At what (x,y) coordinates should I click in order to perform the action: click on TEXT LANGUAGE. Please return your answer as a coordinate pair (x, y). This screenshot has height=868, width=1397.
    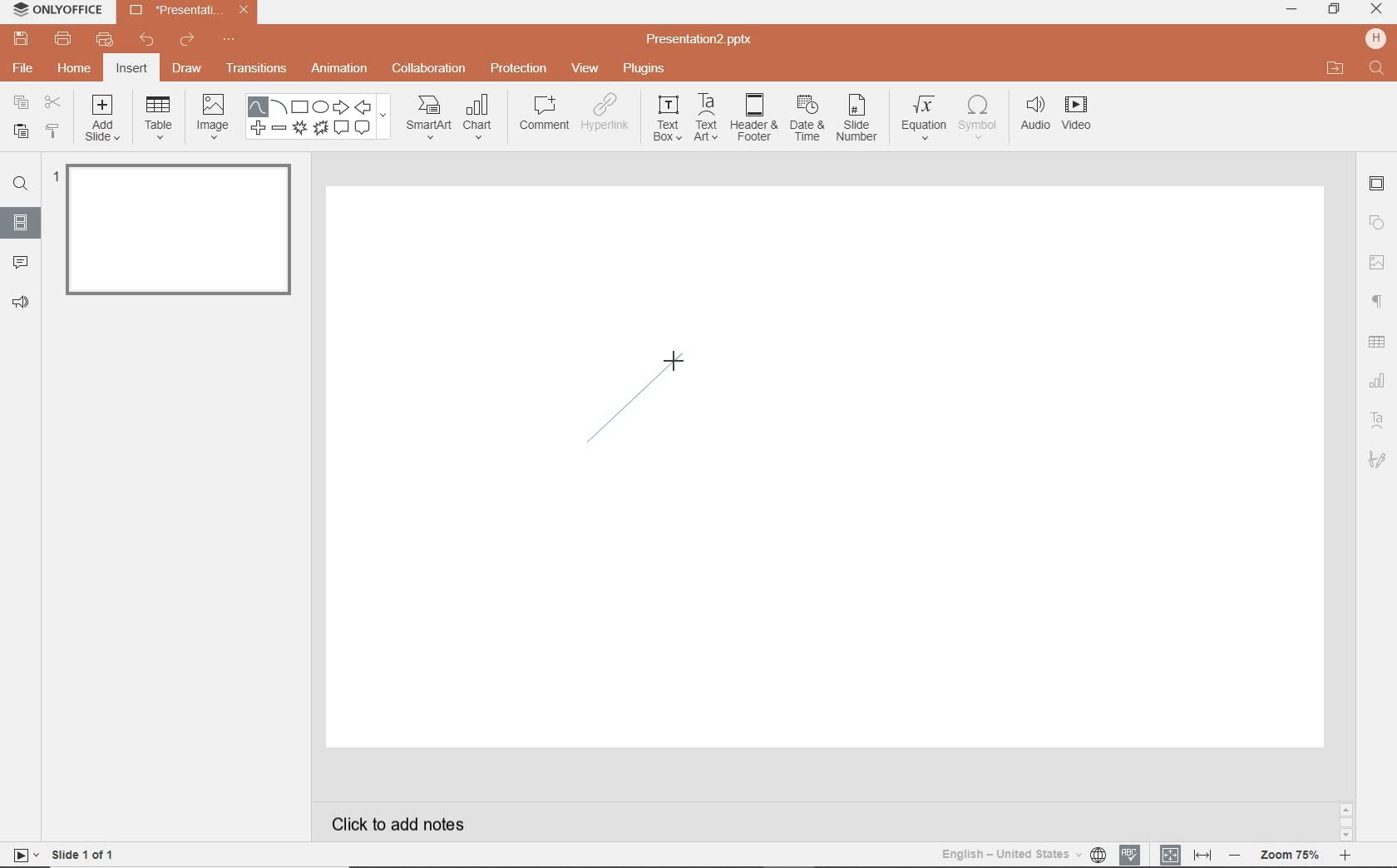
    Looking at the image, I should click on (1023, 852).